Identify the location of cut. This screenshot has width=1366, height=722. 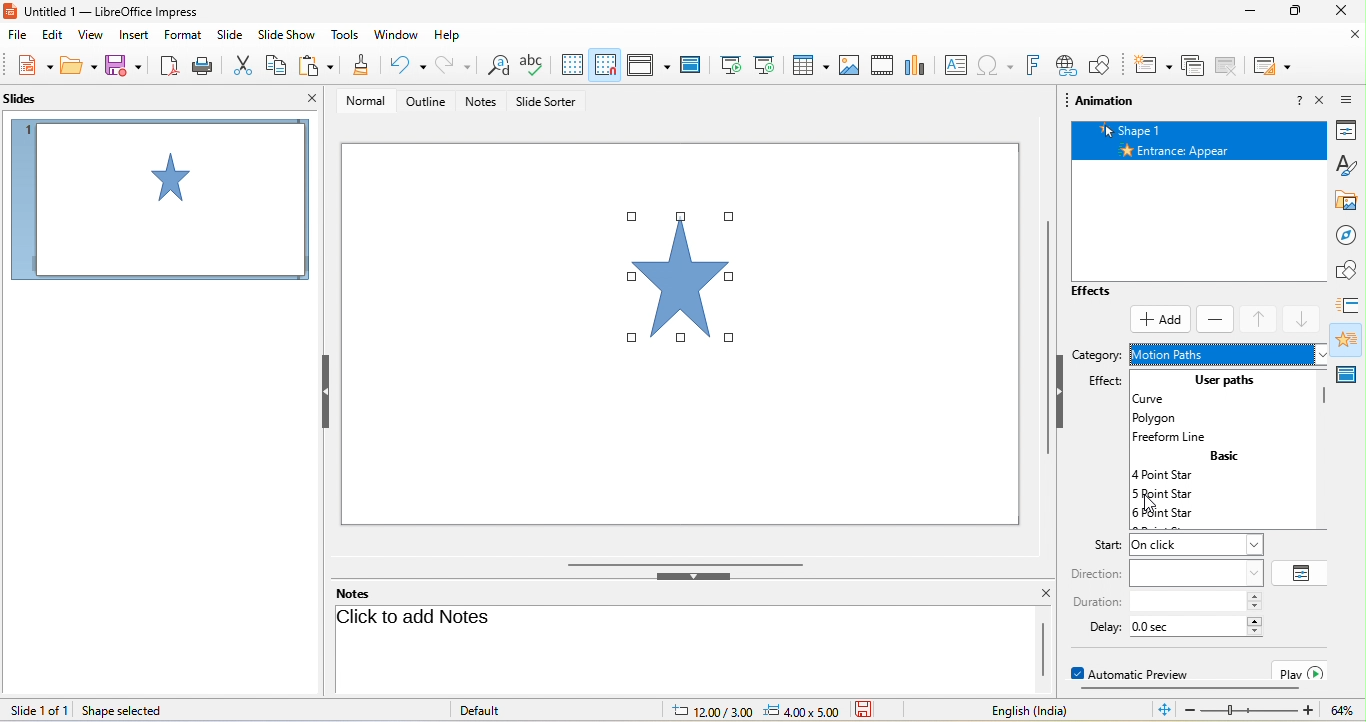
(244, 65).